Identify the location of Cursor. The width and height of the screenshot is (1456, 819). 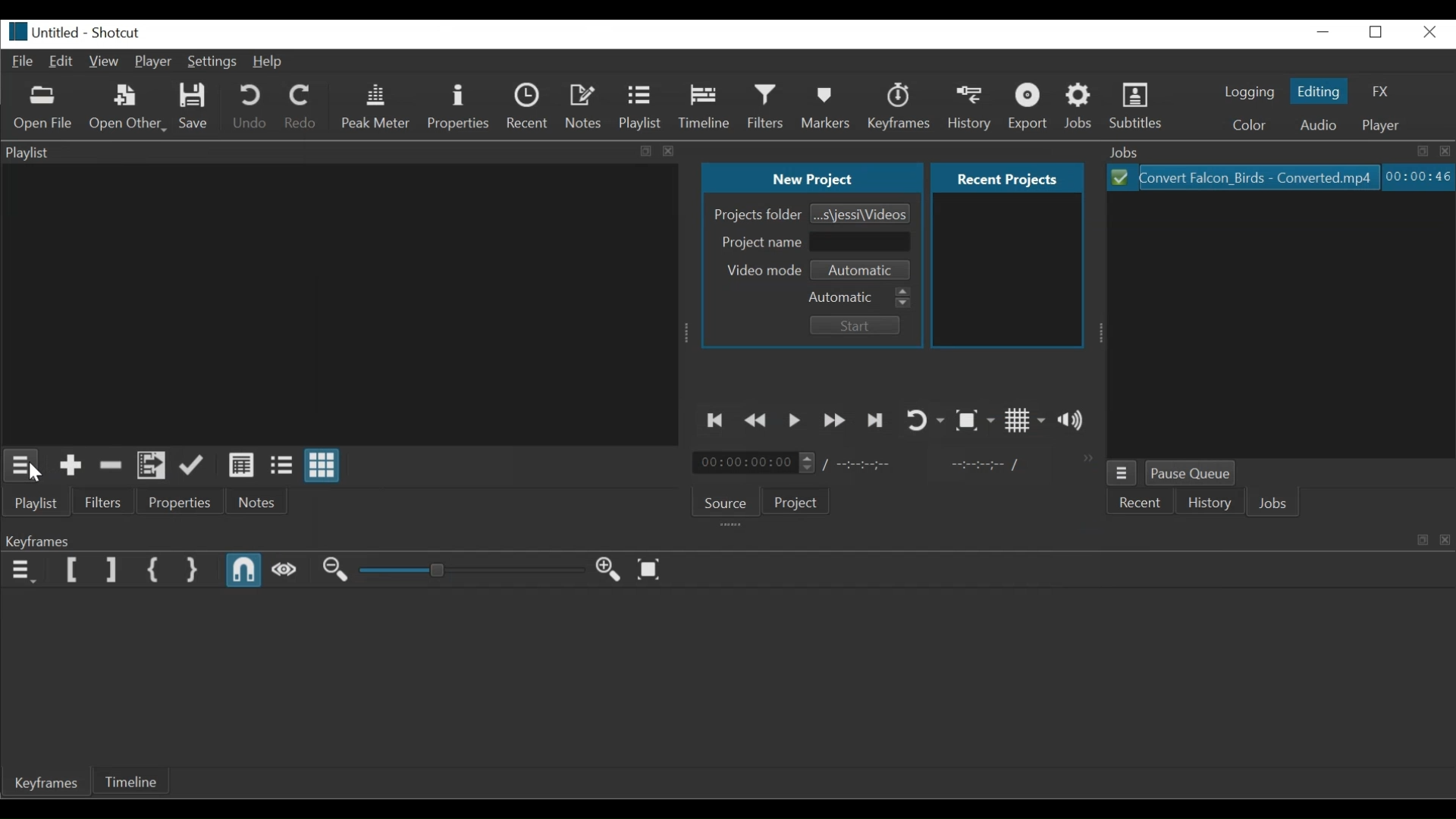
(40, 475).